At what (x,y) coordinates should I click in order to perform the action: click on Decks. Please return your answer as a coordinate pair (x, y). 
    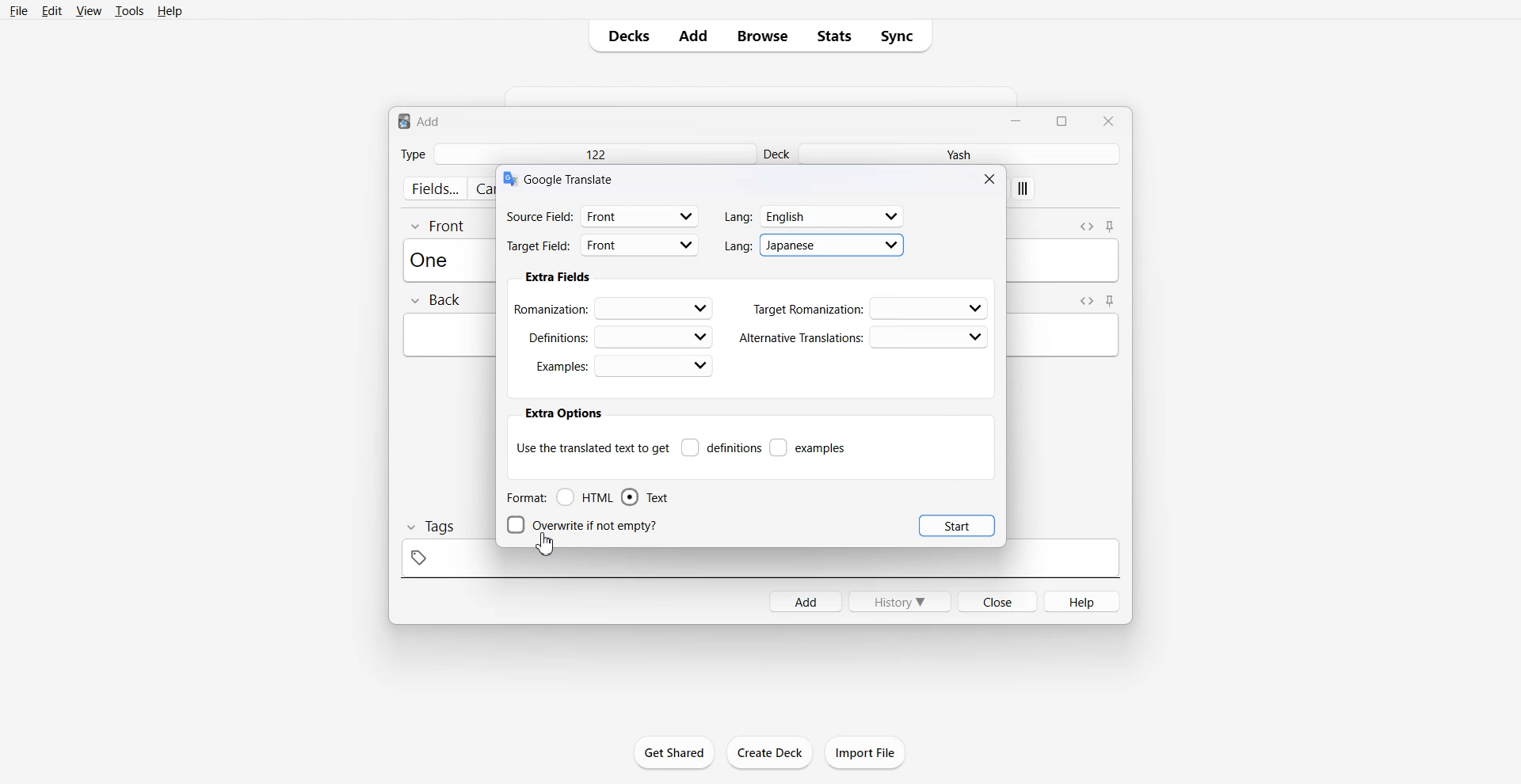
    Looking at the image, I should click on (623, 36).